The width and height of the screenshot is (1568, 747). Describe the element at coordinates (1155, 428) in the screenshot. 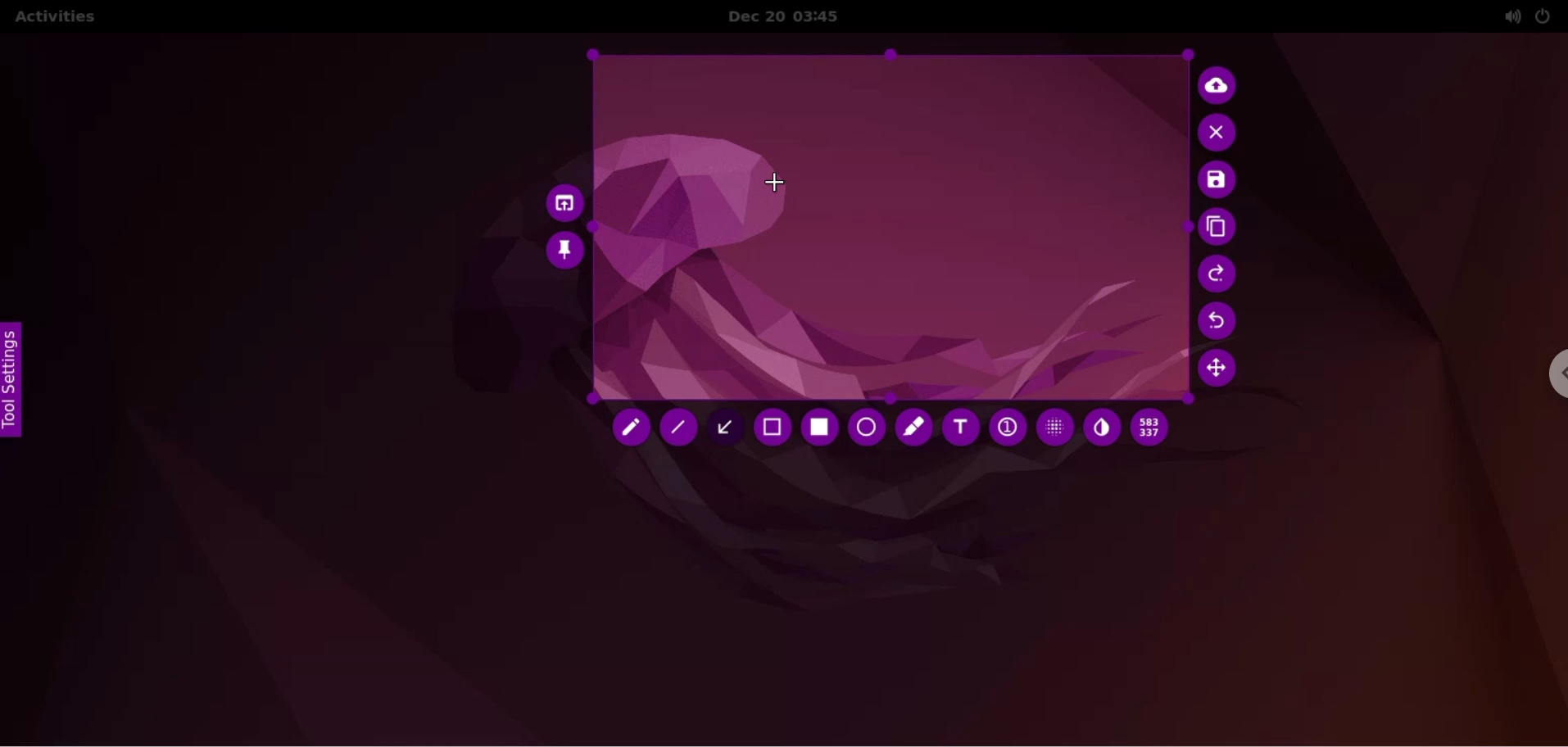

I see `x and y coordinates value` at that location.